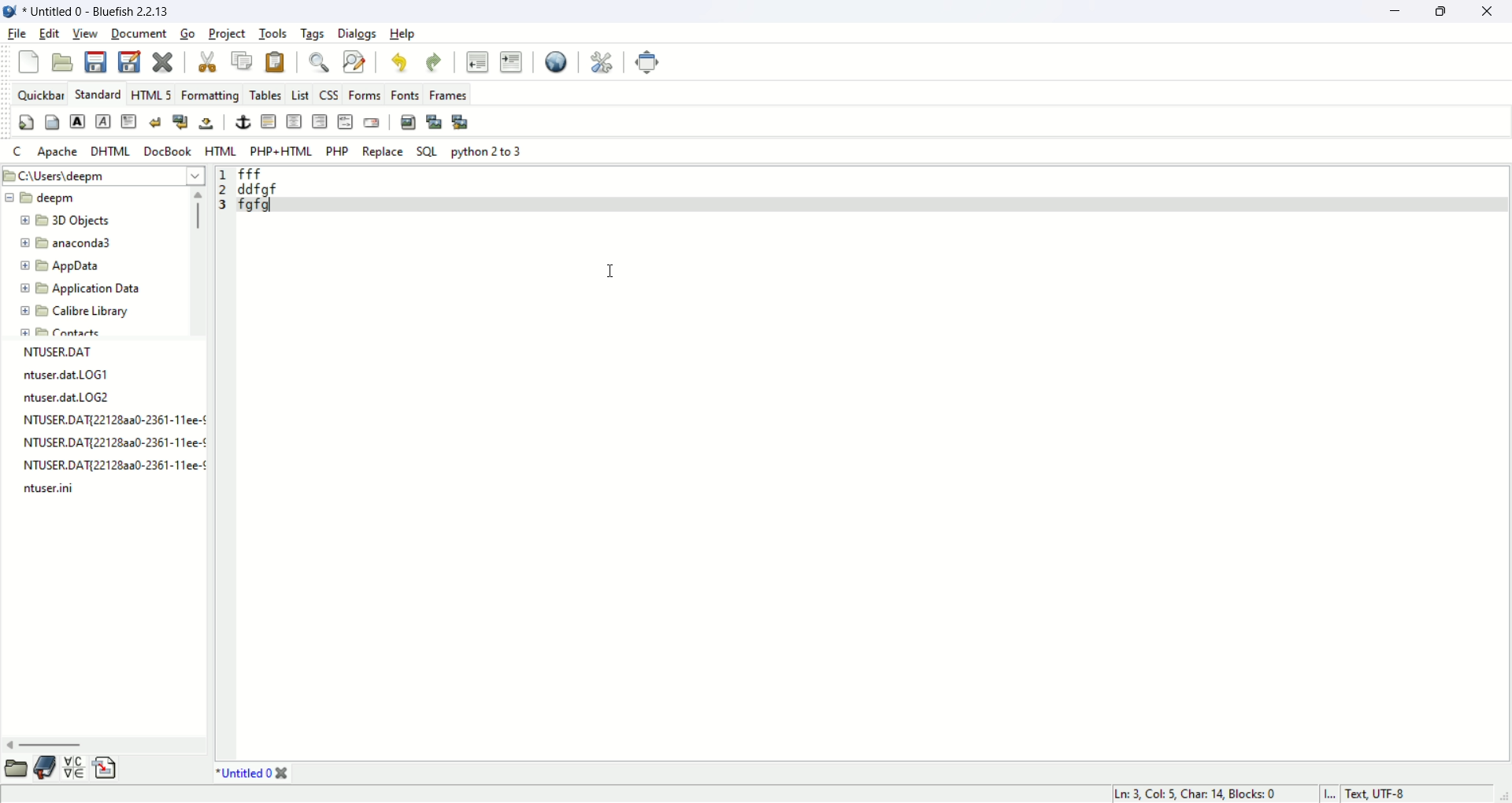  Describe the element at coordinates (100, 742) in the screenshot. I see `horizontal scroll bar` at that location.